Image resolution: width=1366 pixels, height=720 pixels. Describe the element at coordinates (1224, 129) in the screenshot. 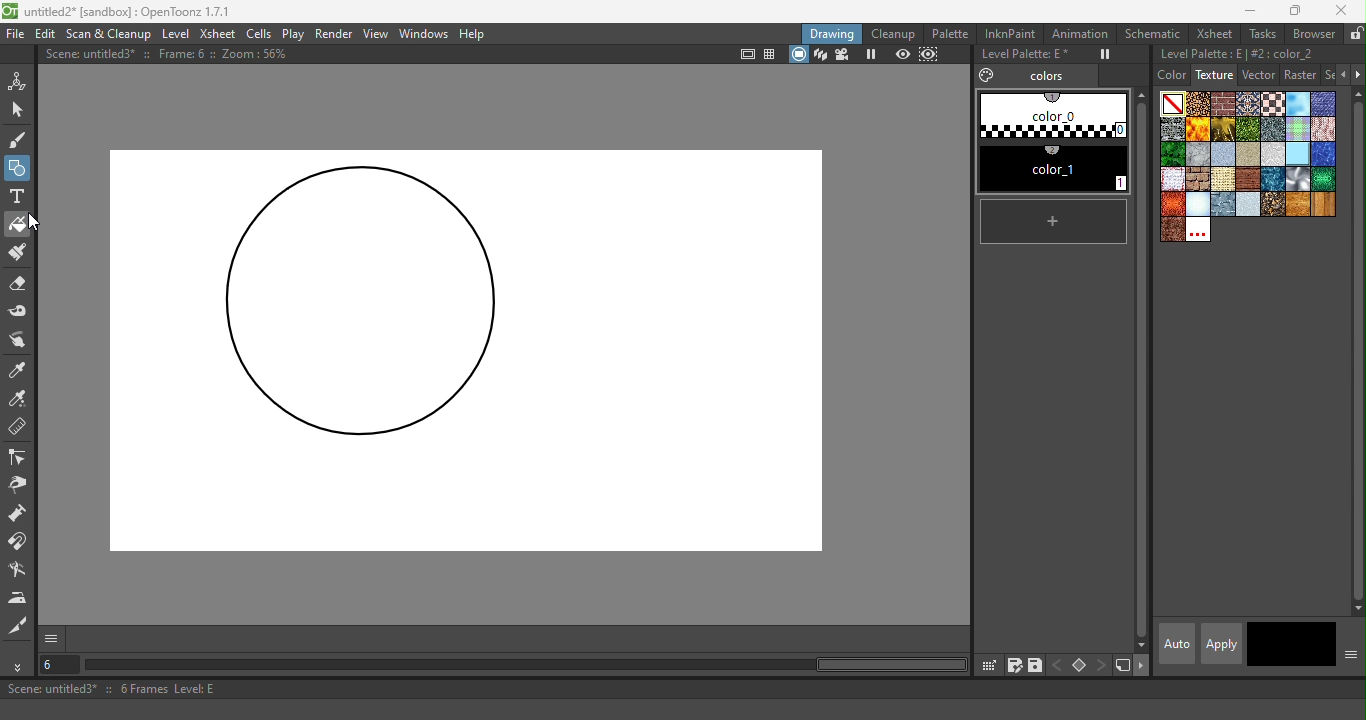

I see `Gold.bmp` at that location.